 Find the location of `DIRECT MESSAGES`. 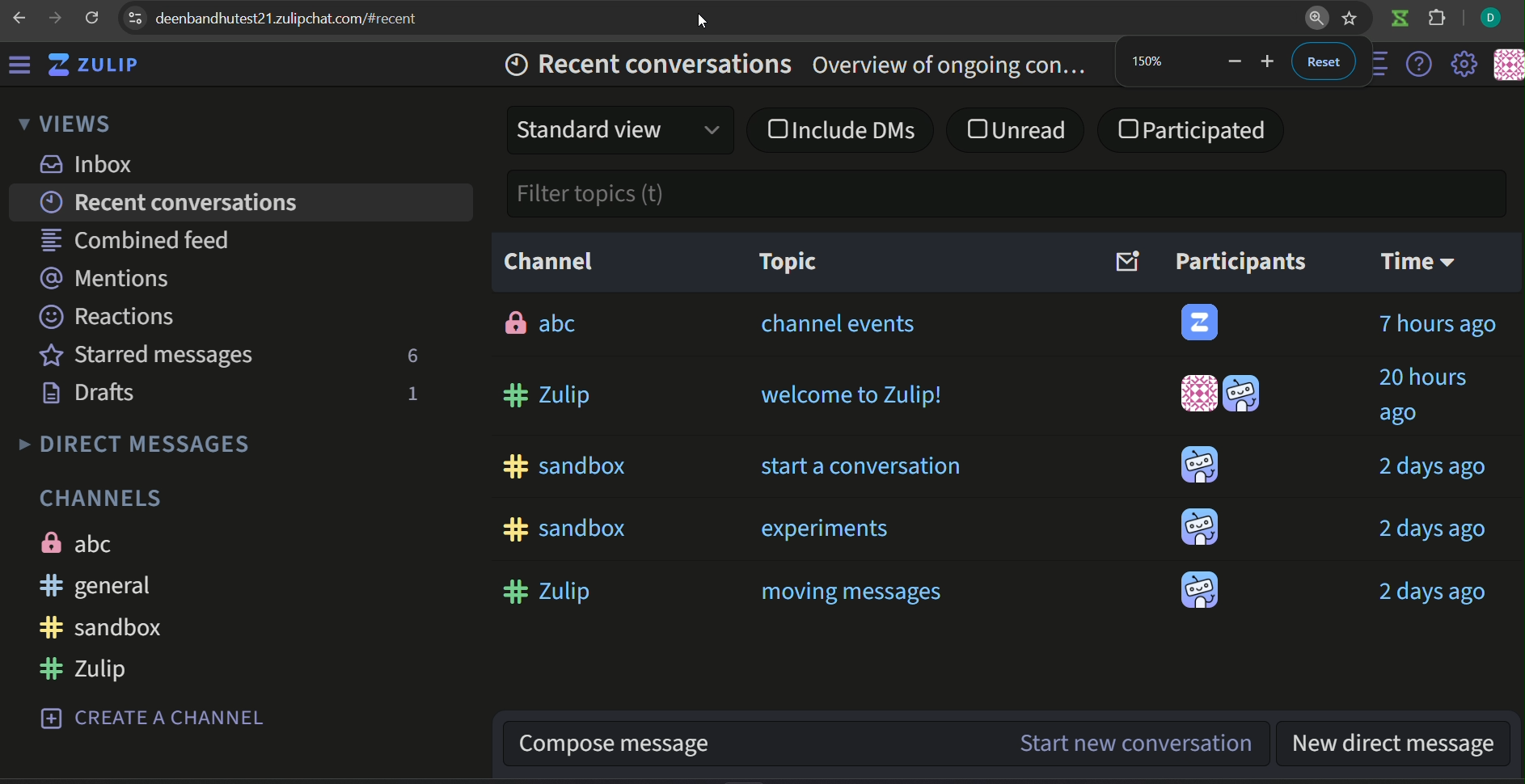

DIRECT MESSAGES is located at coordinates (137, 445).